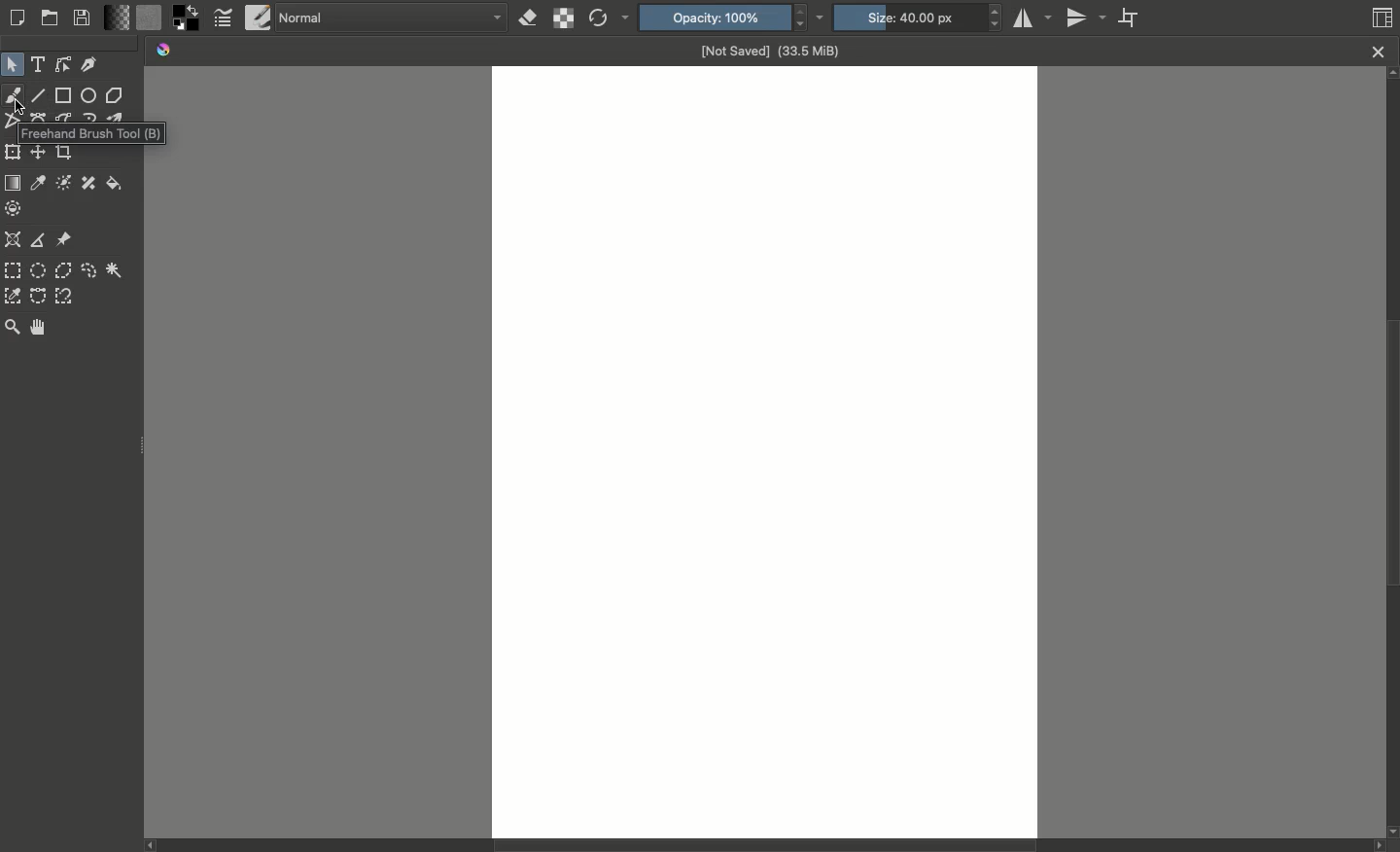 This screenshot has height=852, width=1400. What do you see at coordinates (765, 450) in the screenshot?
I see `Canvas` at bounding box center [765, 450].